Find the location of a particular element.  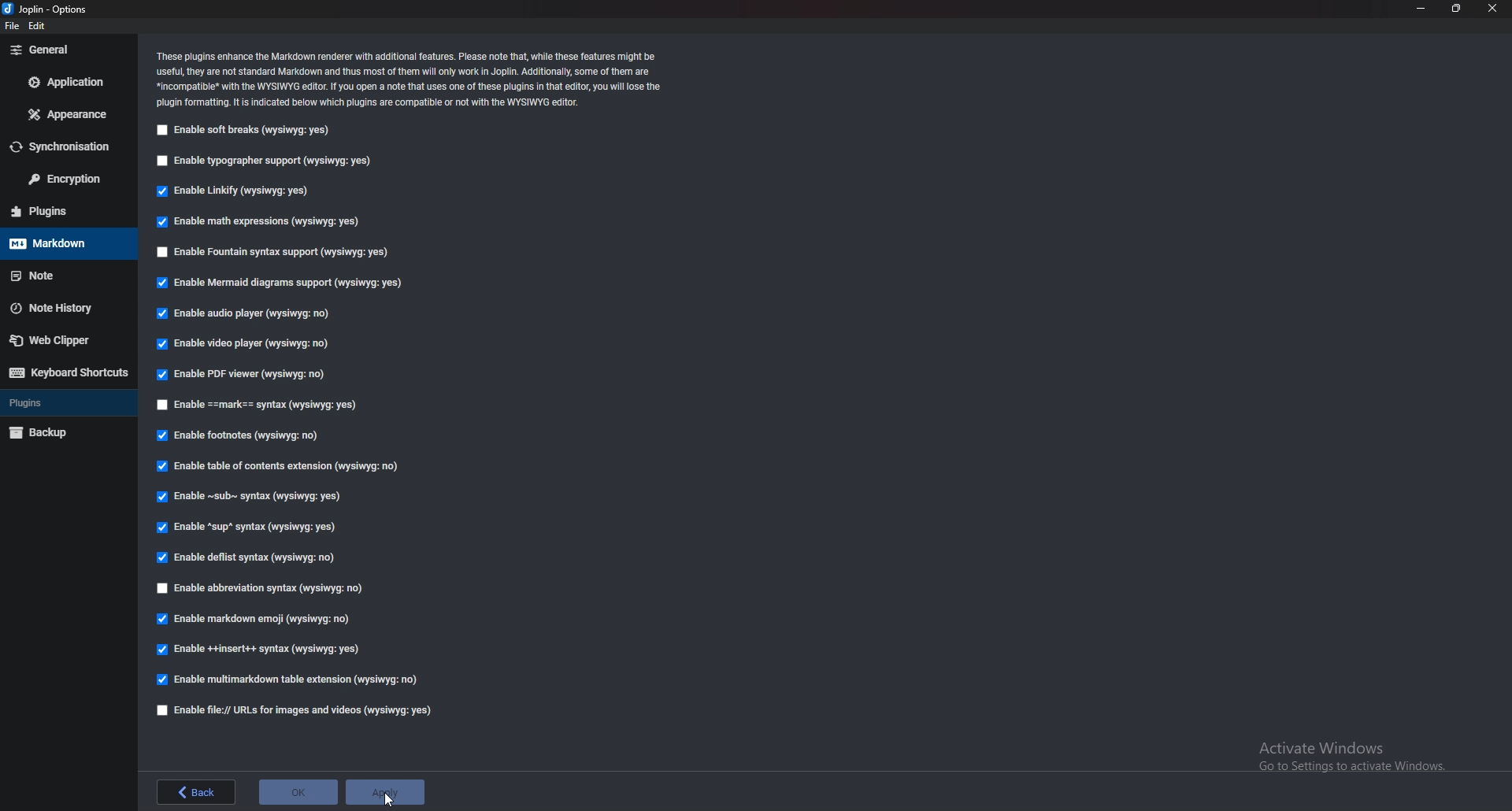

enable file urls for images and videos is located at coordinates (295, 711).